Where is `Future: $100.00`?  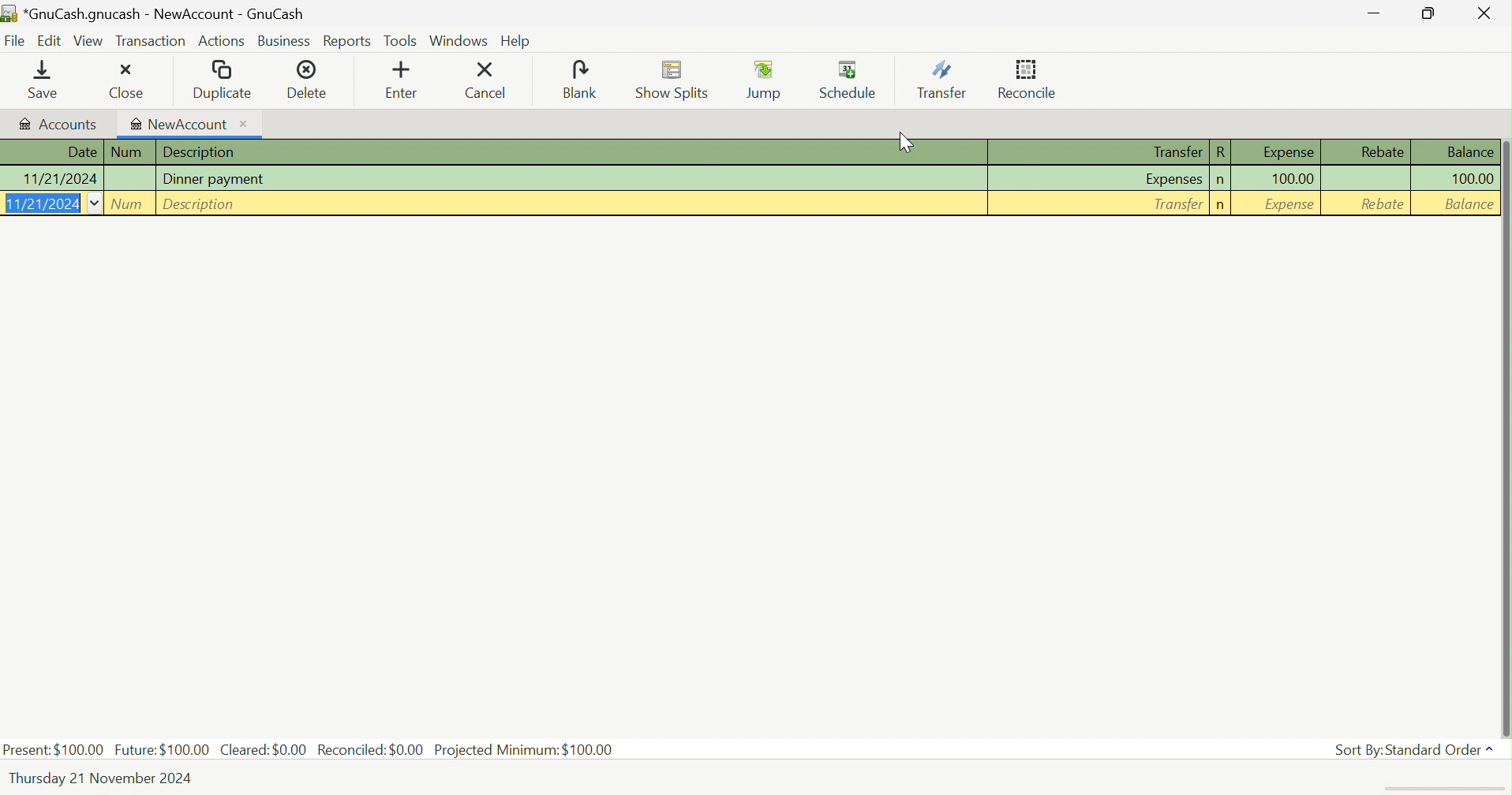 Future: $100.00 is located at coordinates (162, 750).